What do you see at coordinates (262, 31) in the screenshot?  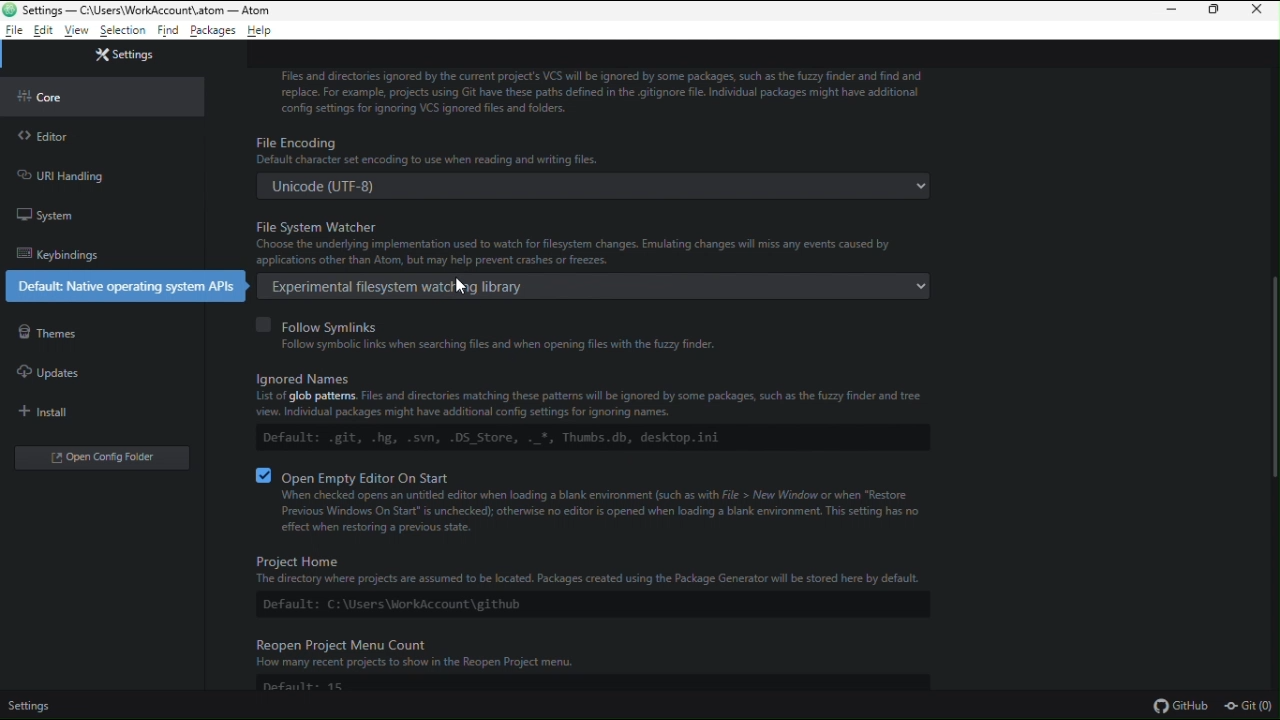 I see `help` at bounding box center [262, 31].